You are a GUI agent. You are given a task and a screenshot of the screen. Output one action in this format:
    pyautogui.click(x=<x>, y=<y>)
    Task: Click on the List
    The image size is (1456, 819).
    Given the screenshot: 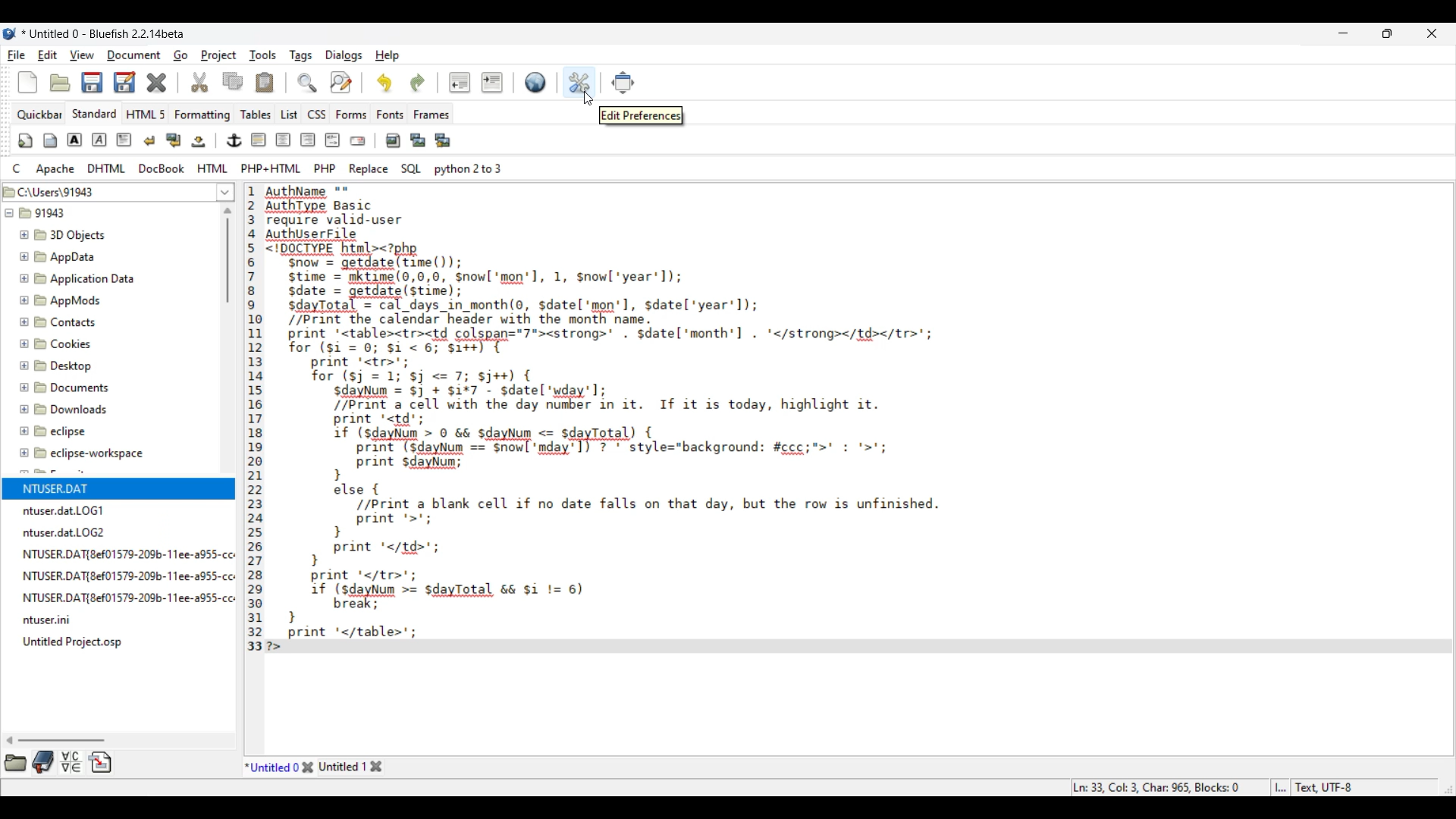 What is the action you would take?
    pyautogui.click(x=289, y=115)
    